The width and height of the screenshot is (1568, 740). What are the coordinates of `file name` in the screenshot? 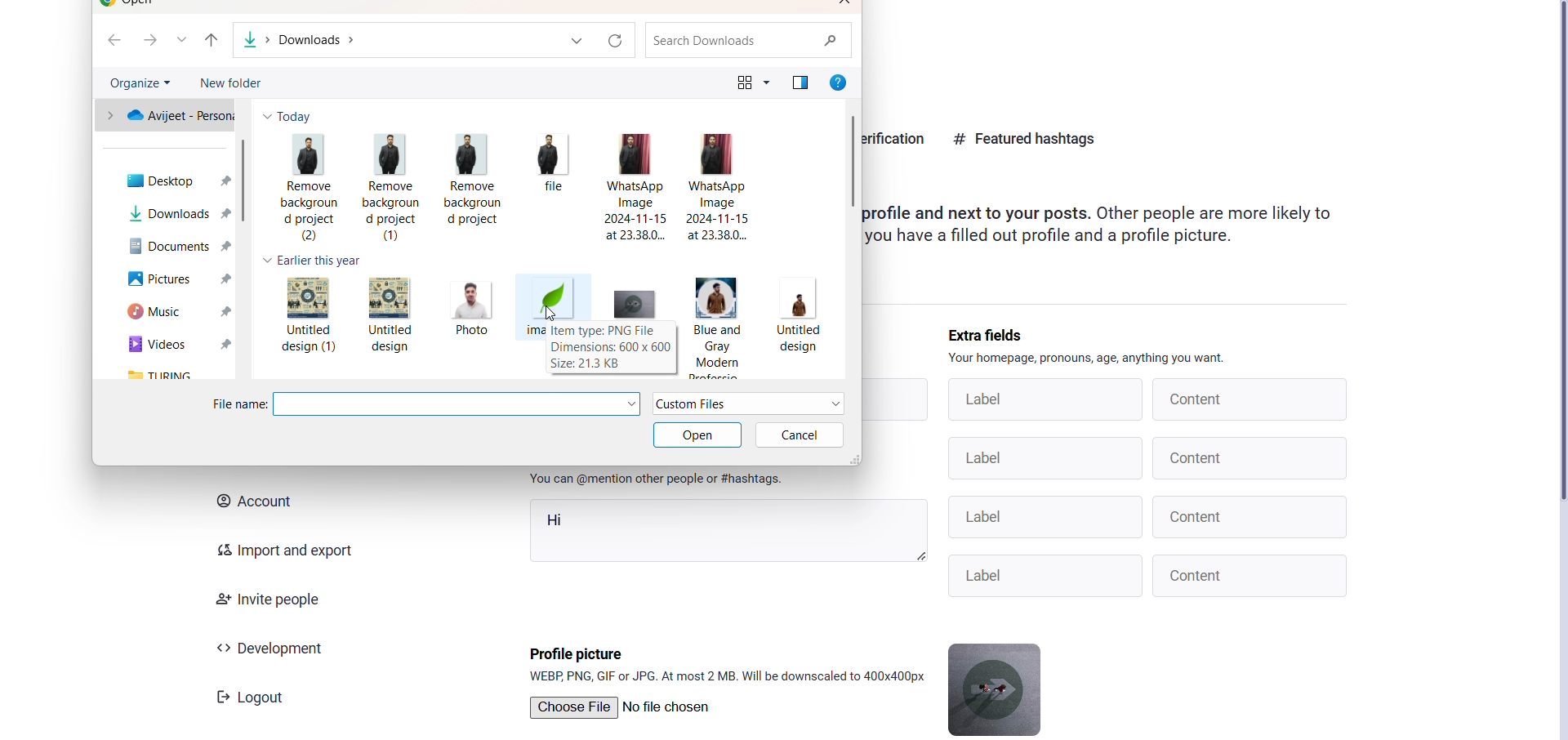 It's located at (237, 403).